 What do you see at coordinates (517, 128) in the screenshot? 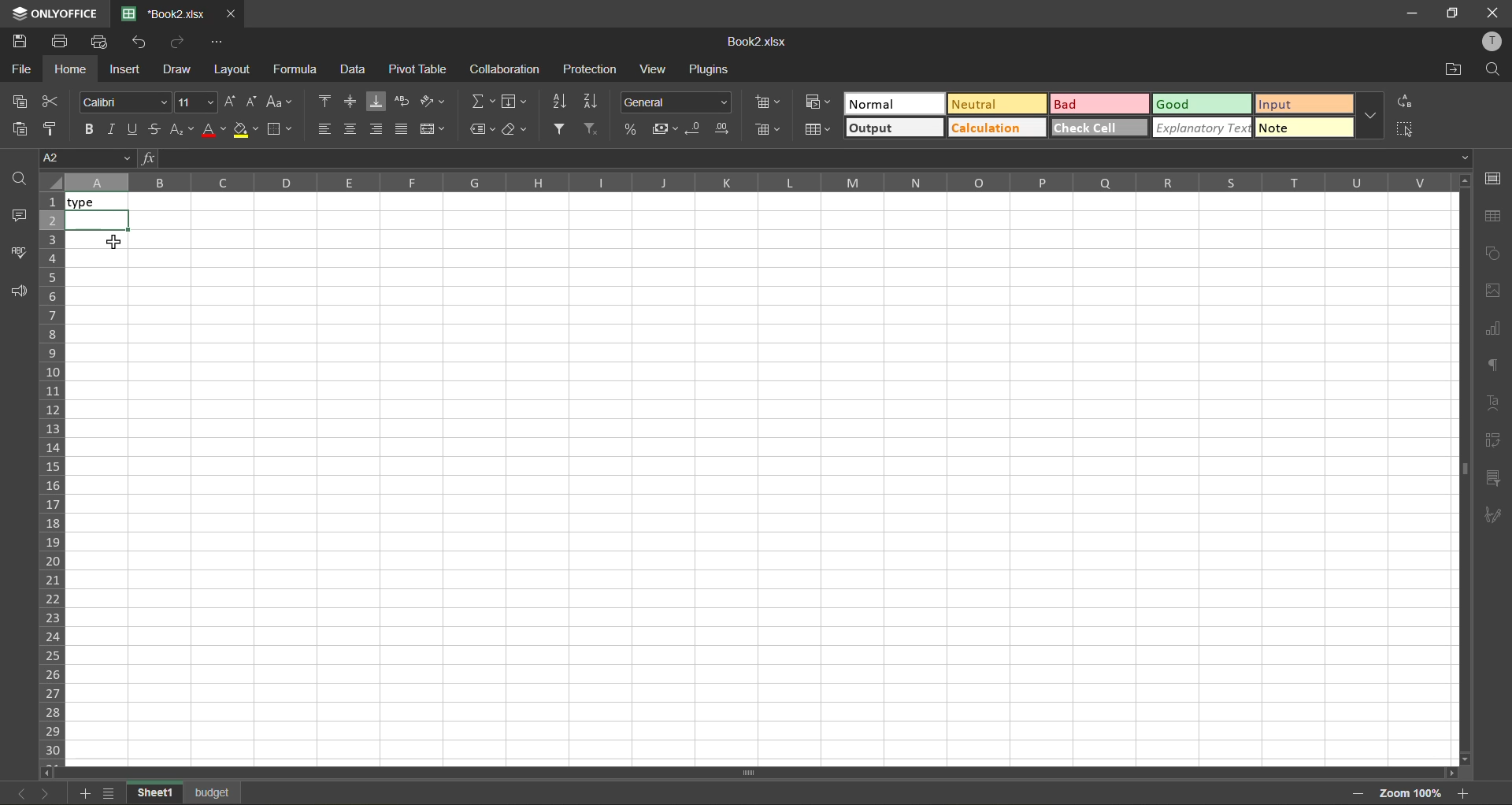
I see `clear` at bounding box center [517, 128].